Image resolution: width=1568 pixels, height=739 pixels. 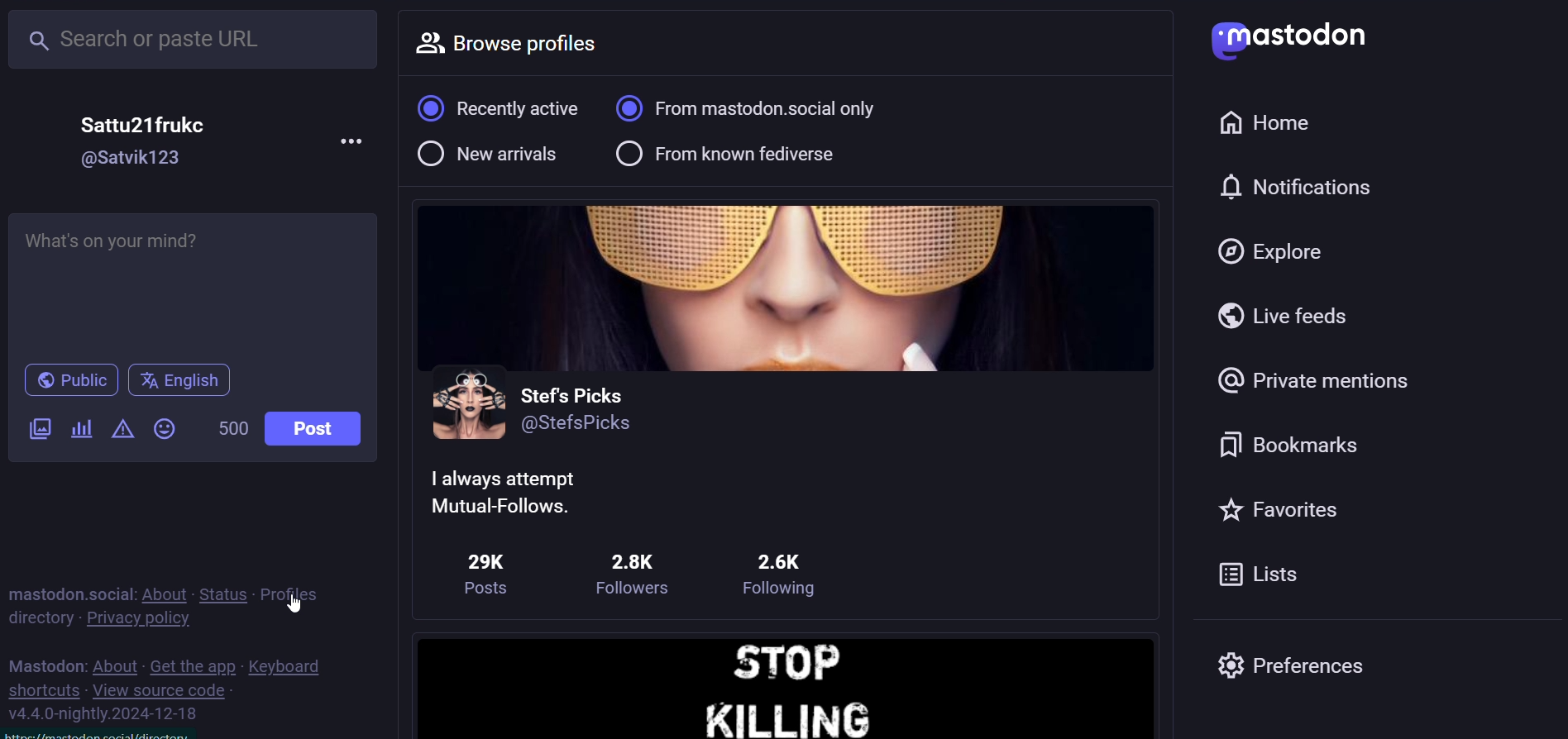 I want to click on id, so click(x=576, y=427).